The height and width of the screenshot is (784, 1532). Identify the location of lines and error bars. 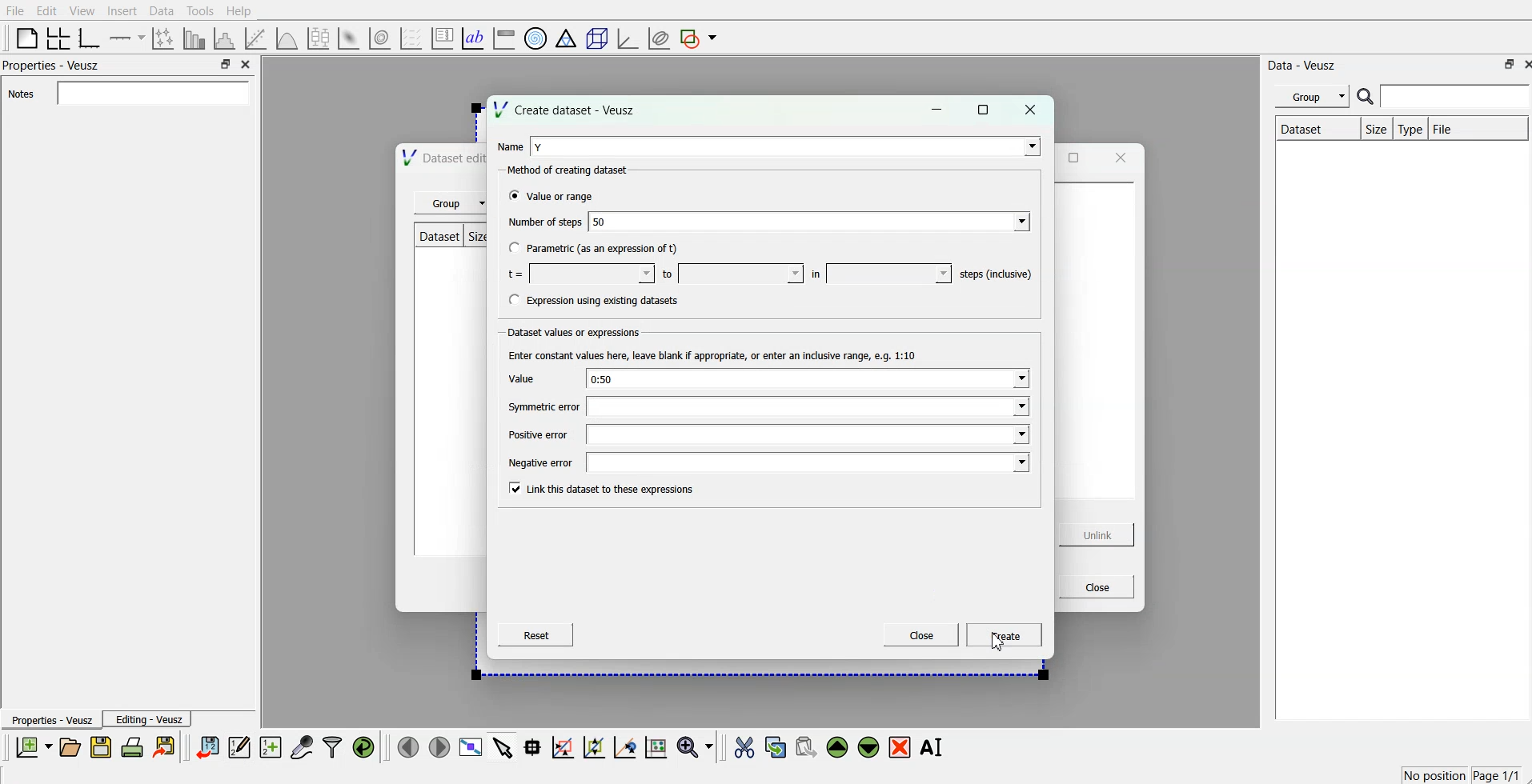
(165, 38).